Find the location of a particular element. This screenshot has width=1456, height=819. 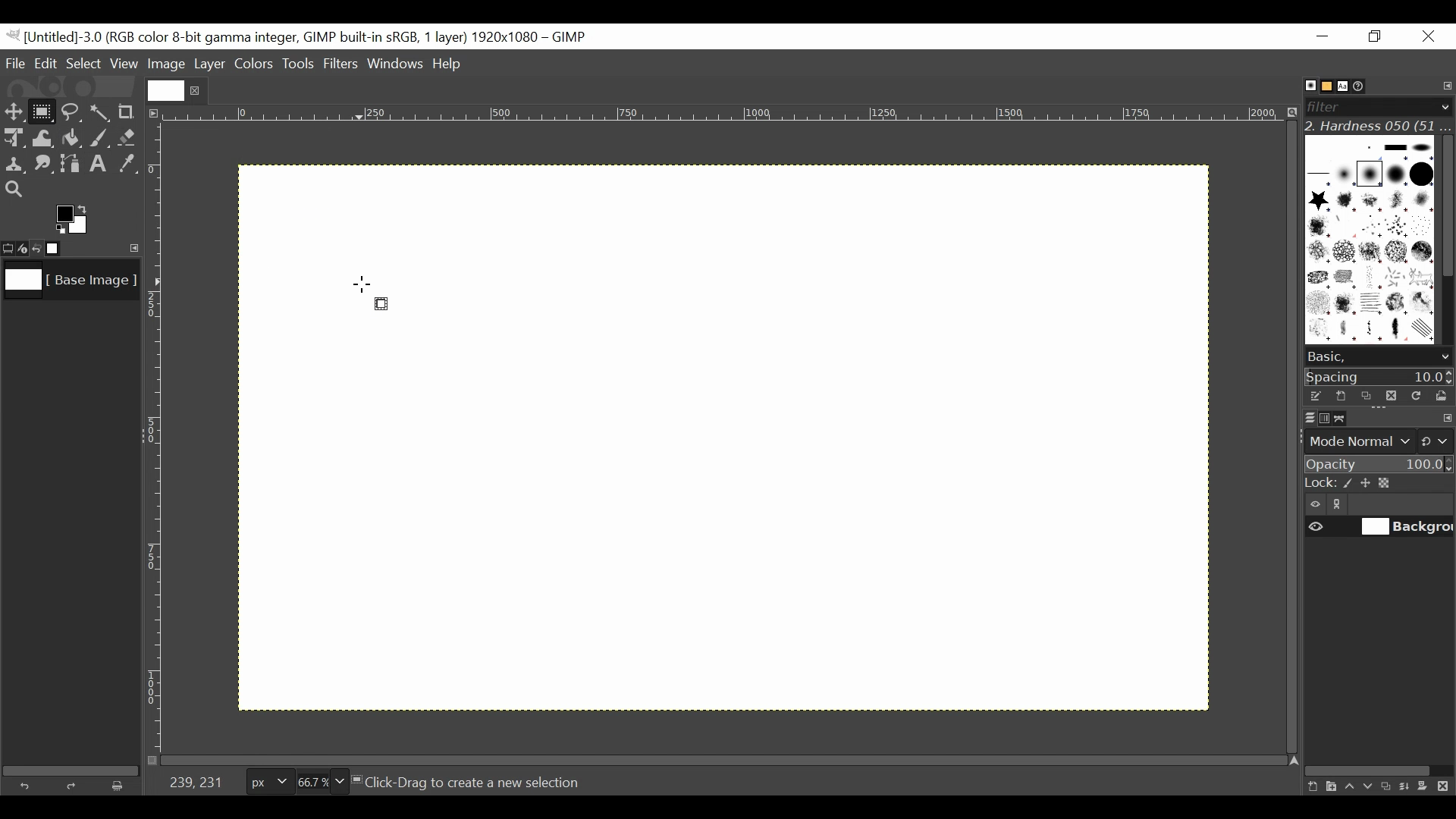

Path tool is located at coordinates (72, 164).